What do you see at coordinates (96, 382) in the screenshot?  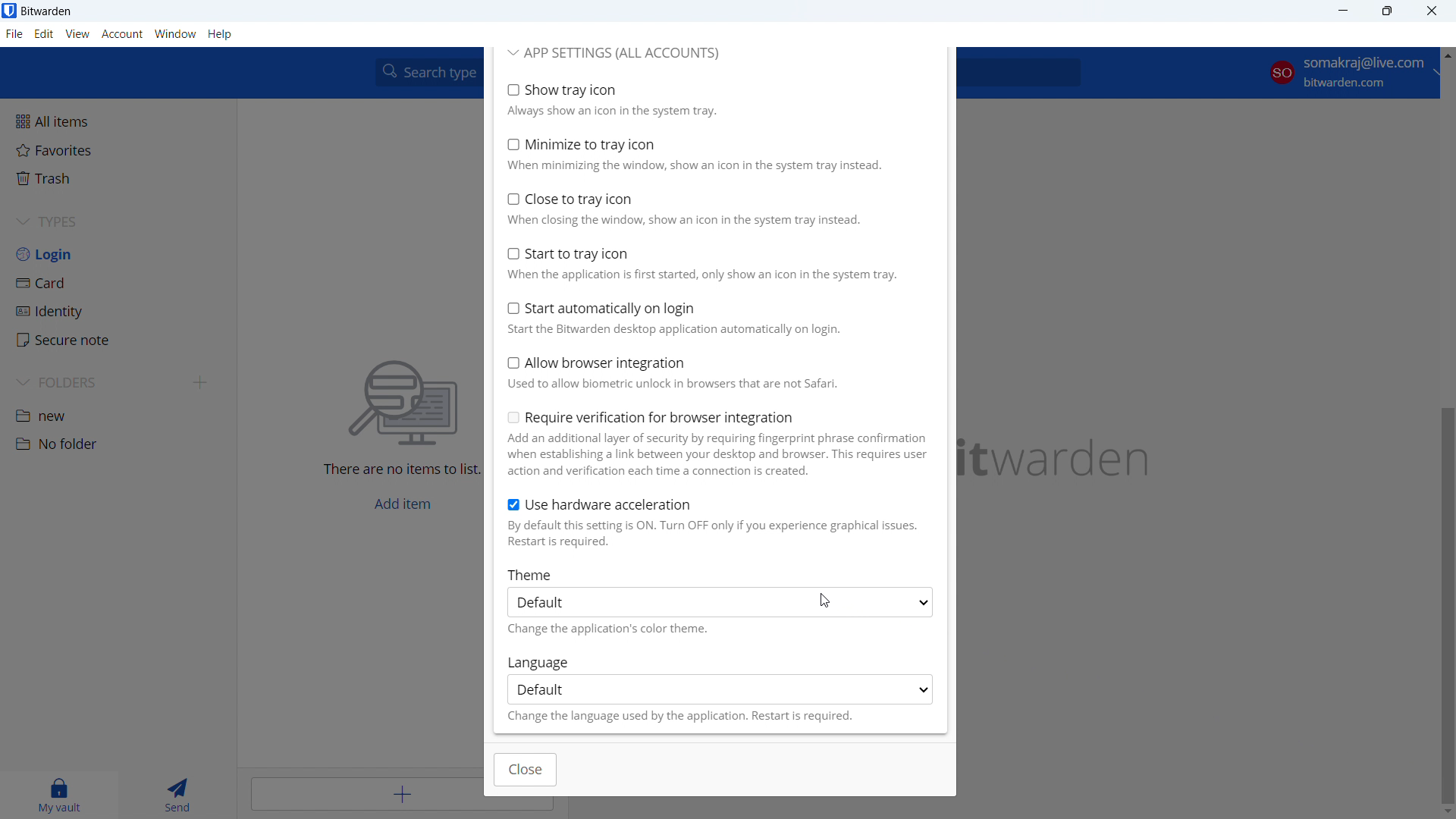 I see `folders` at bounding box center [96, 382].